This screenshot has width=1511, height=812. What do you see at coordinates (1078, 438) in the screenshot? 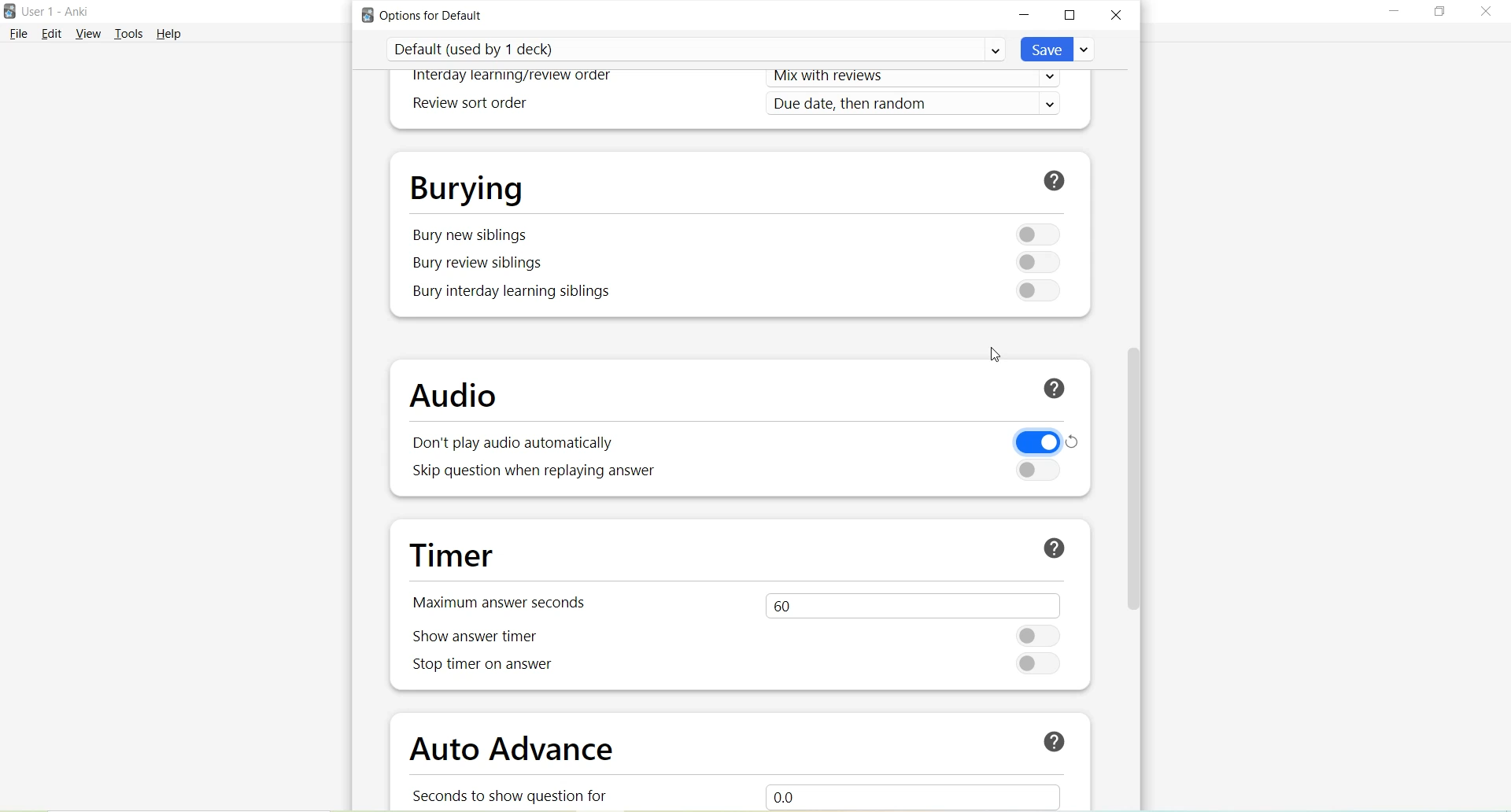
I see `restore` at bounding box center [1078, 438].